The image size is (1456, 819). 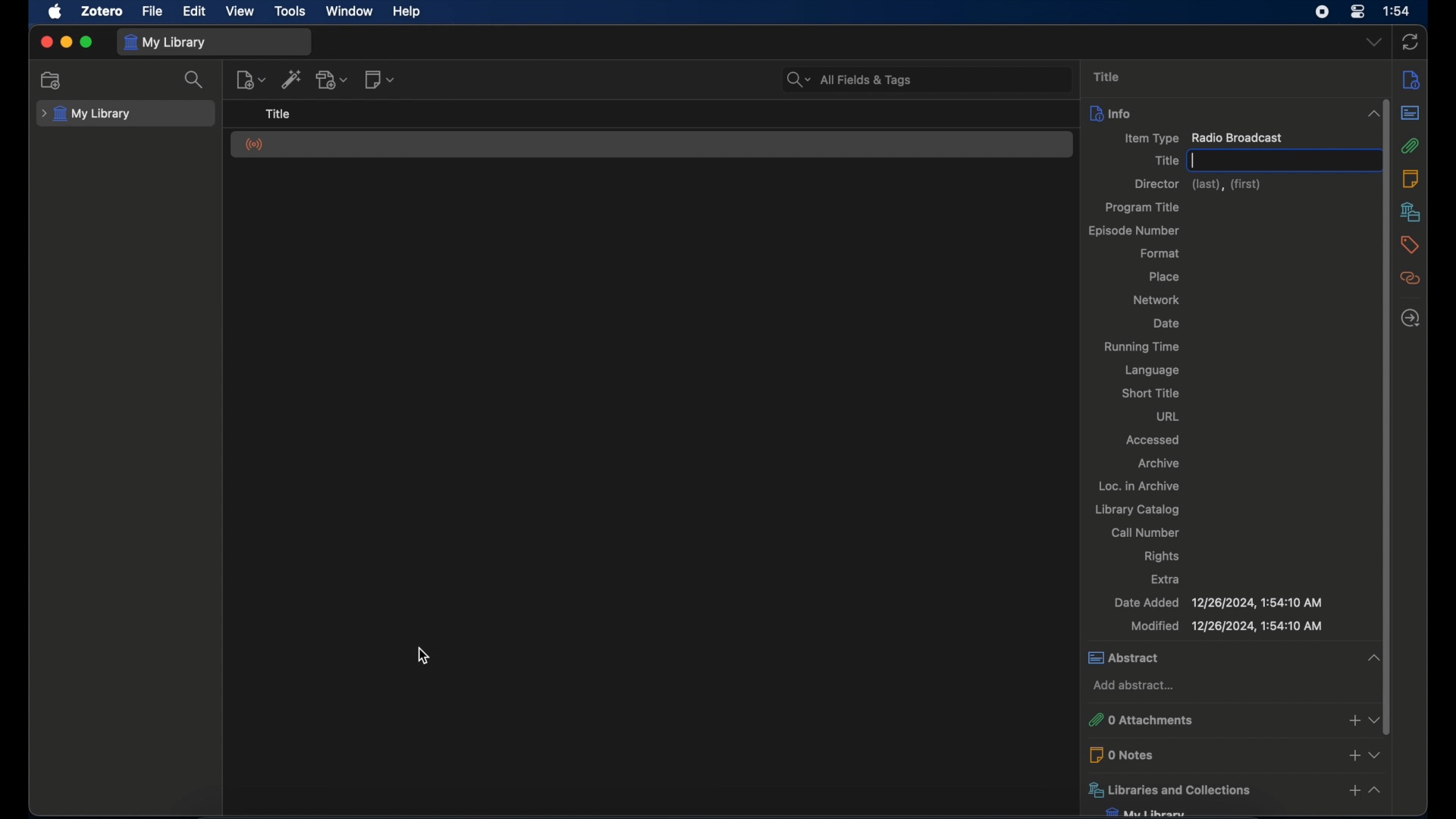 What do you see at coordinates (1200, 185) in the screenshot?
I see `director (last),(first)` at bounding box center [1200, 185].